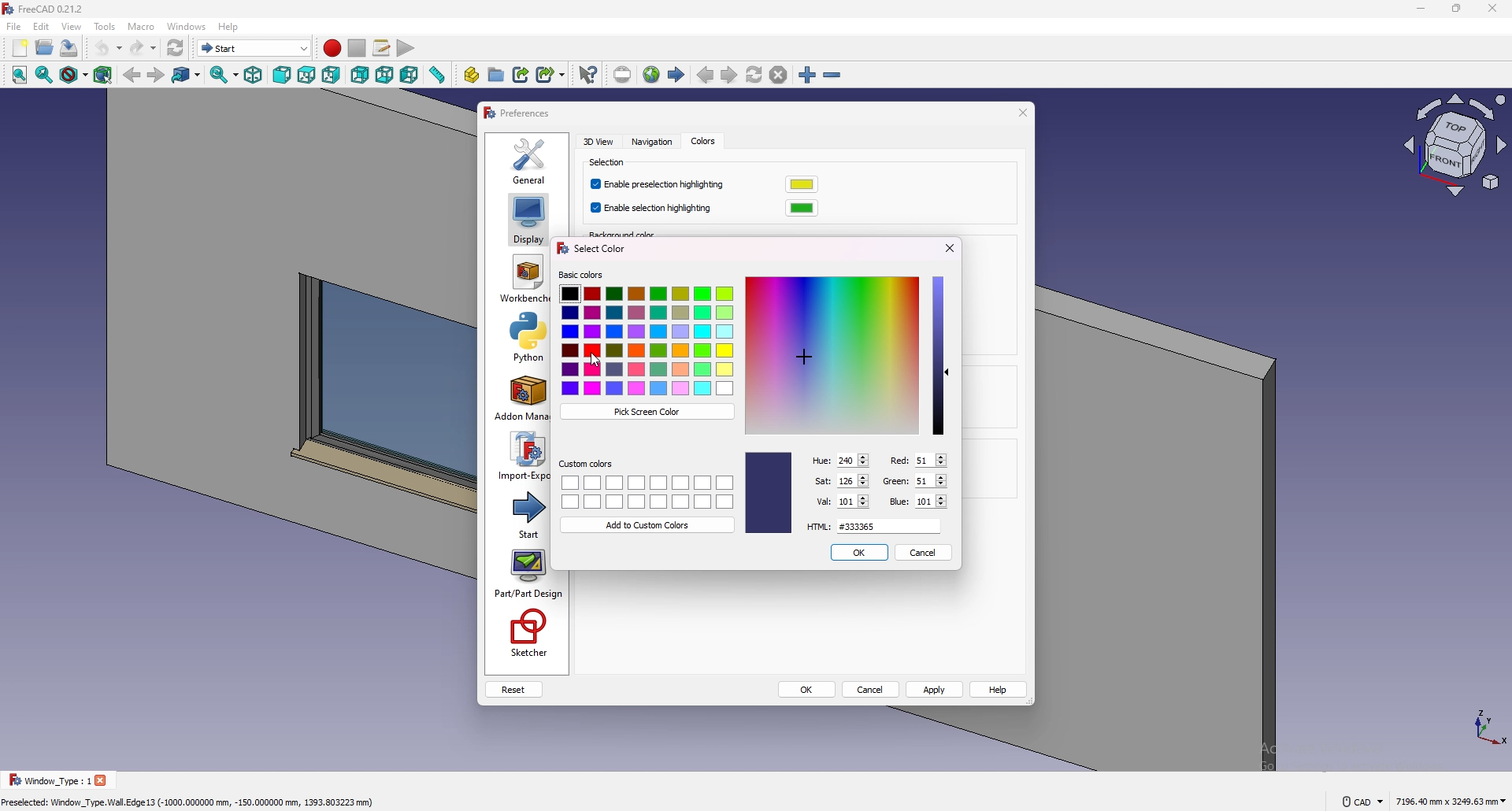  Describe the element at coordinates (729, 76) in the screenshot. I see `next page` at that location.